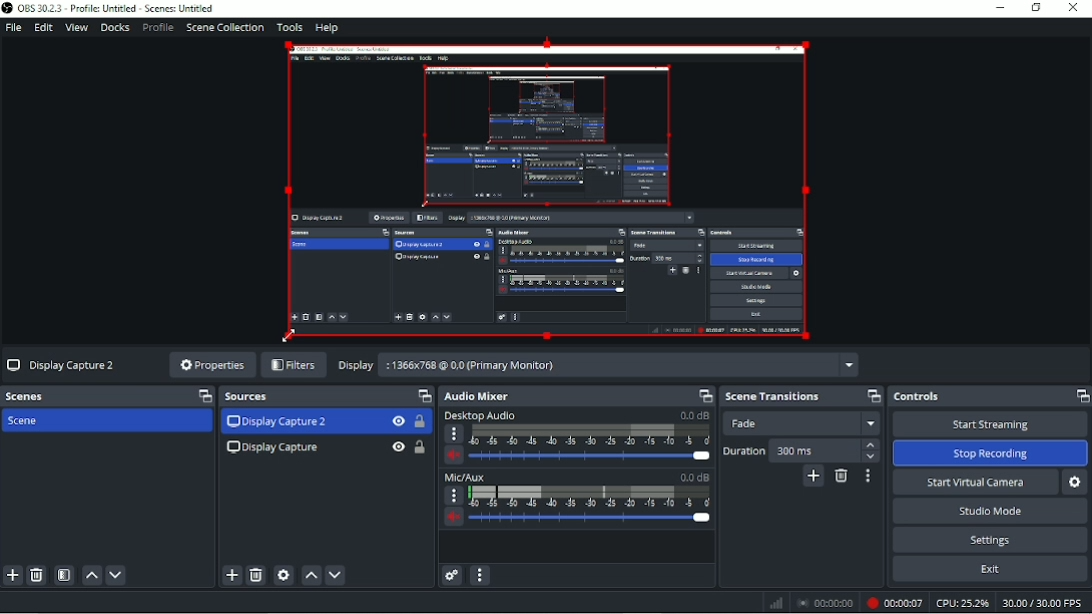  I want to click on Help, so click(326, 29).